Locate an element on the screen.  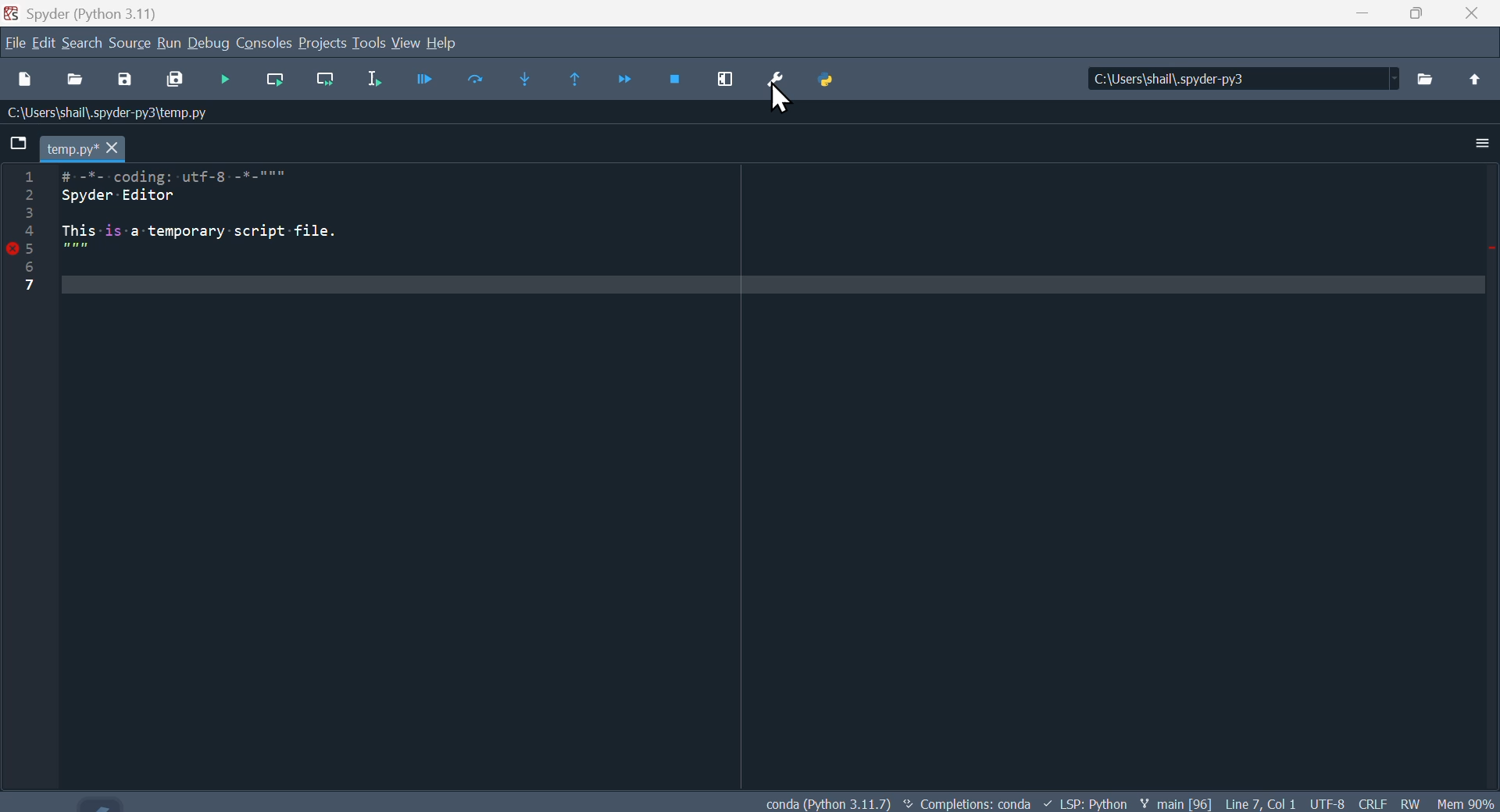
upload is located at coordinates (1472, 77).